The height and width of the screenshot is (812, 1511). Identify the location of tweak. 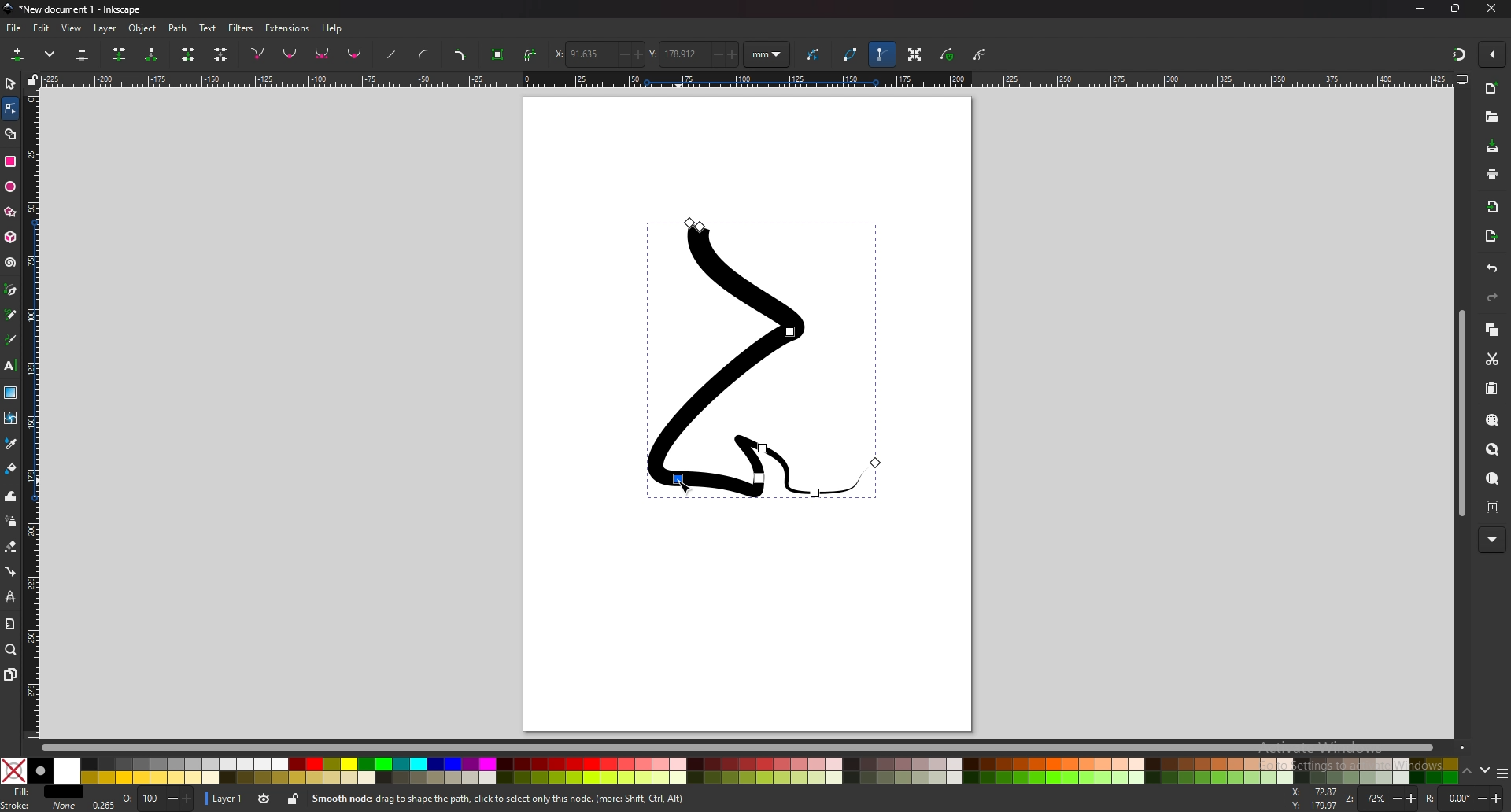
(11, 496).